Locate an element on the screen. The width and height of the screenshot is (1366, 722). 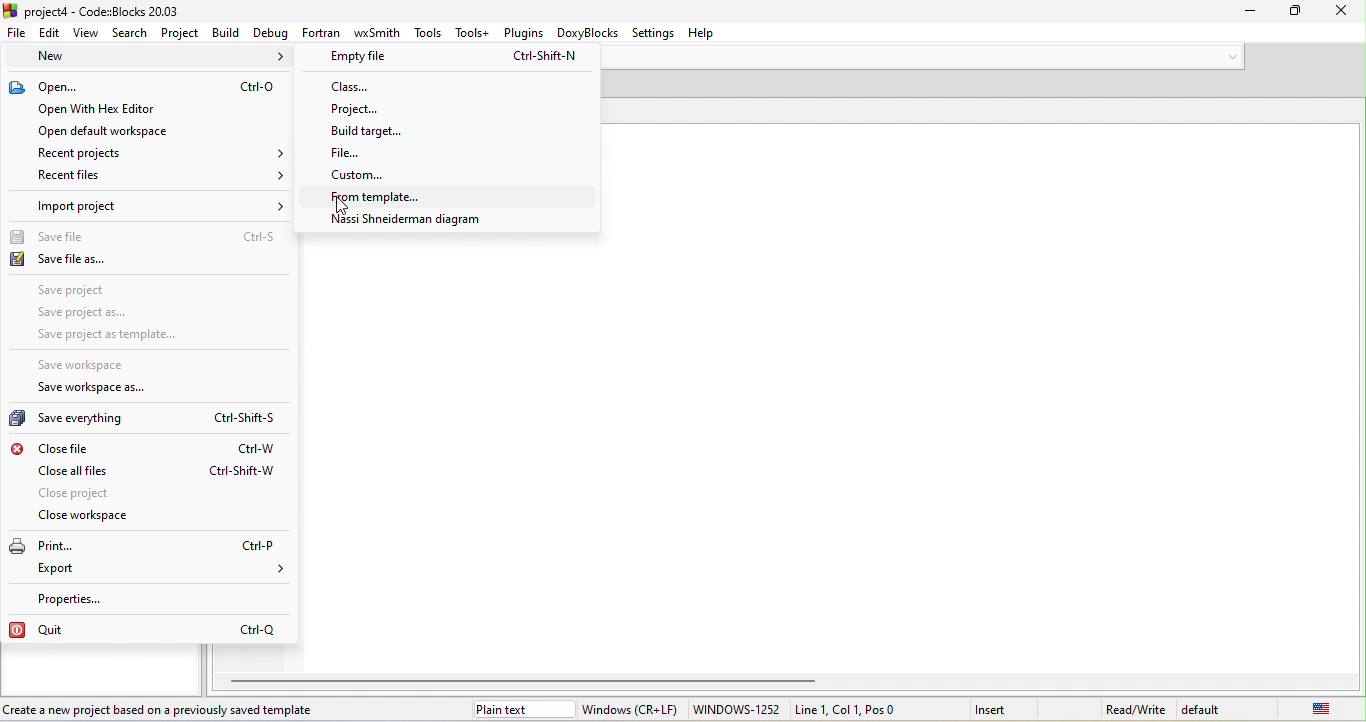
close is located at coordinates (1333, 10).